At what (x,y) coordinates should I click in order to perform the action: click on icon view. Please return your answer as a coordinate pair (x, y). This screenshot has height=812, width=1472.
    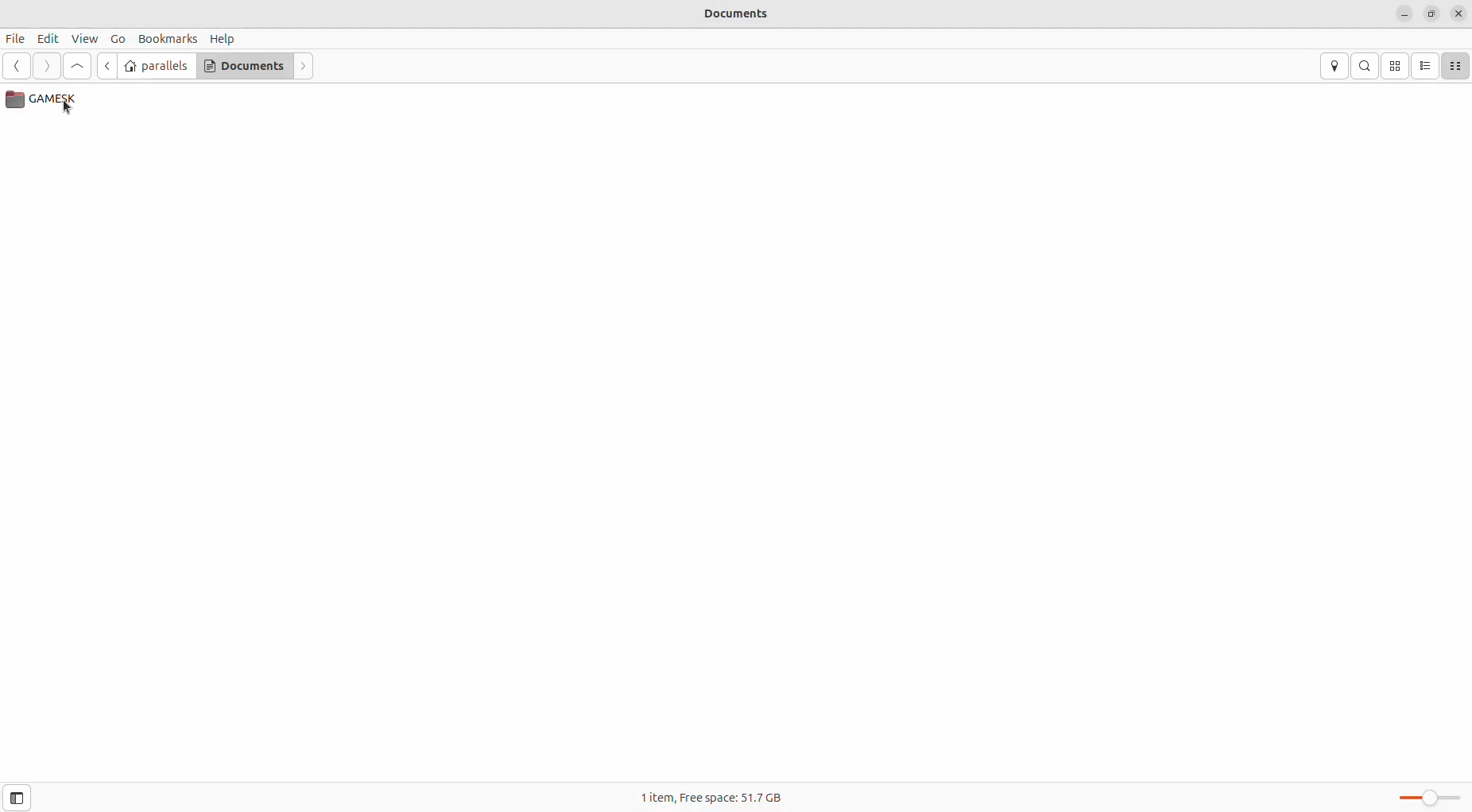
    Looking at the image, I should click on (1394, 66).